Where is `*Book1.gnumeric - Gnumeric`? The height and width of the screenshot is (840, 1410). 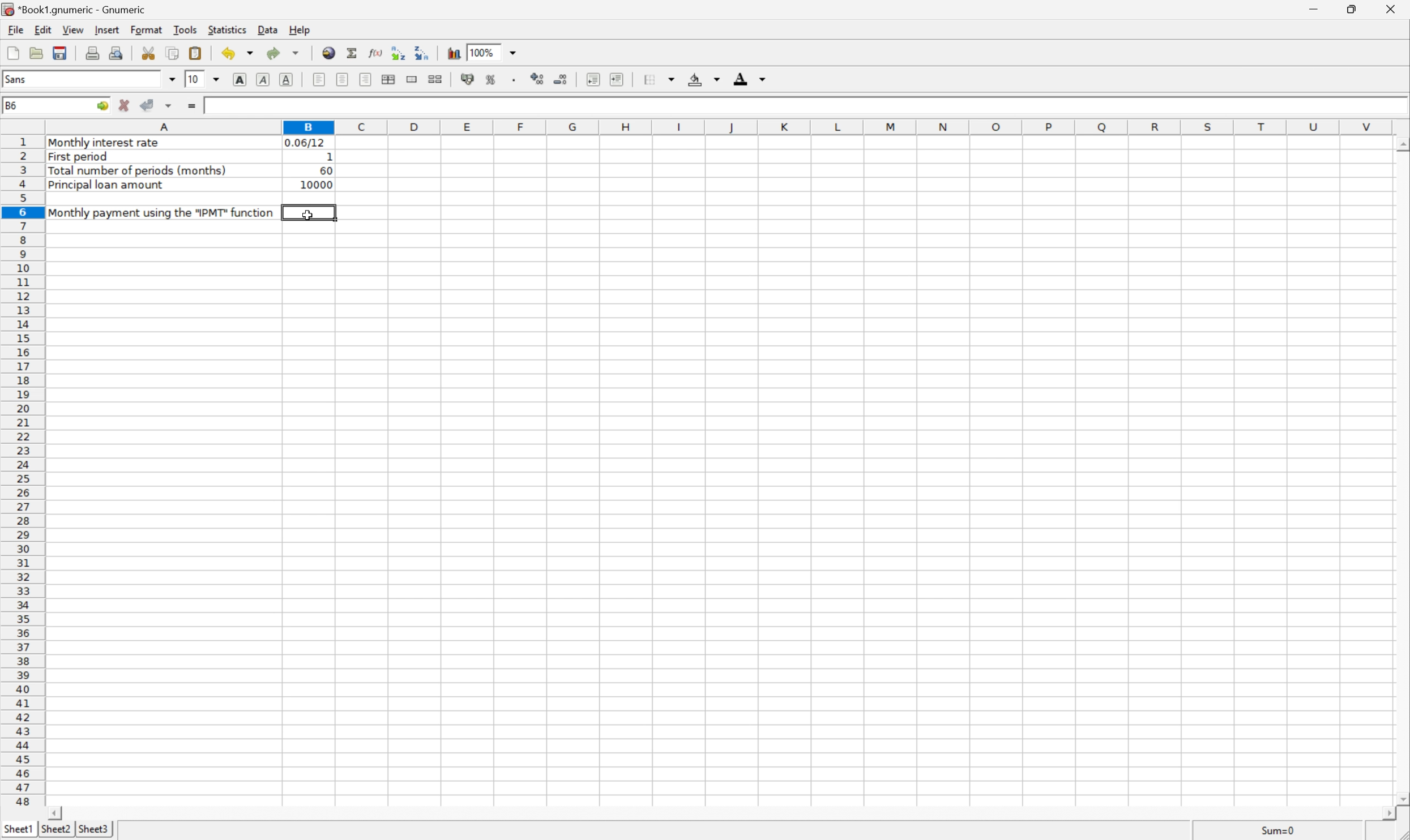 *Book1.gnumeric - Gnumeric is located at coordinates (79, 9).